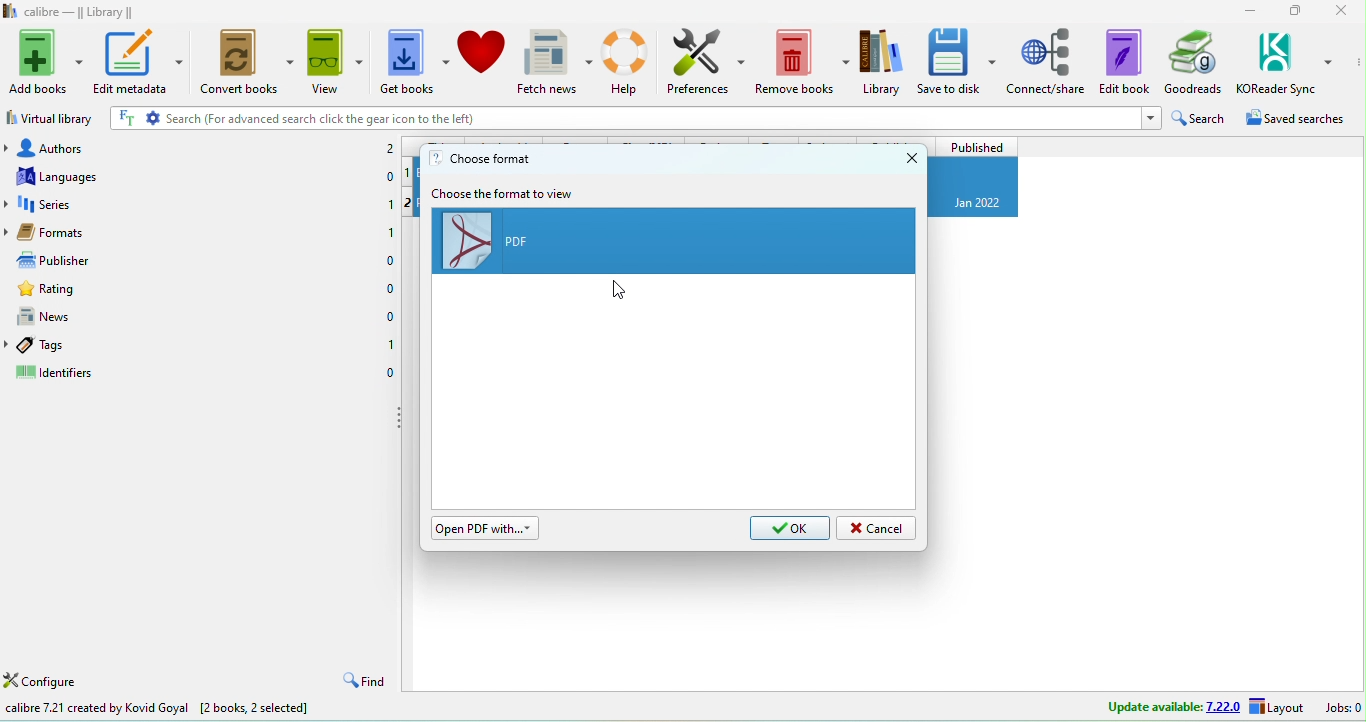  I want to click on connect/share, so click(1048, 61).